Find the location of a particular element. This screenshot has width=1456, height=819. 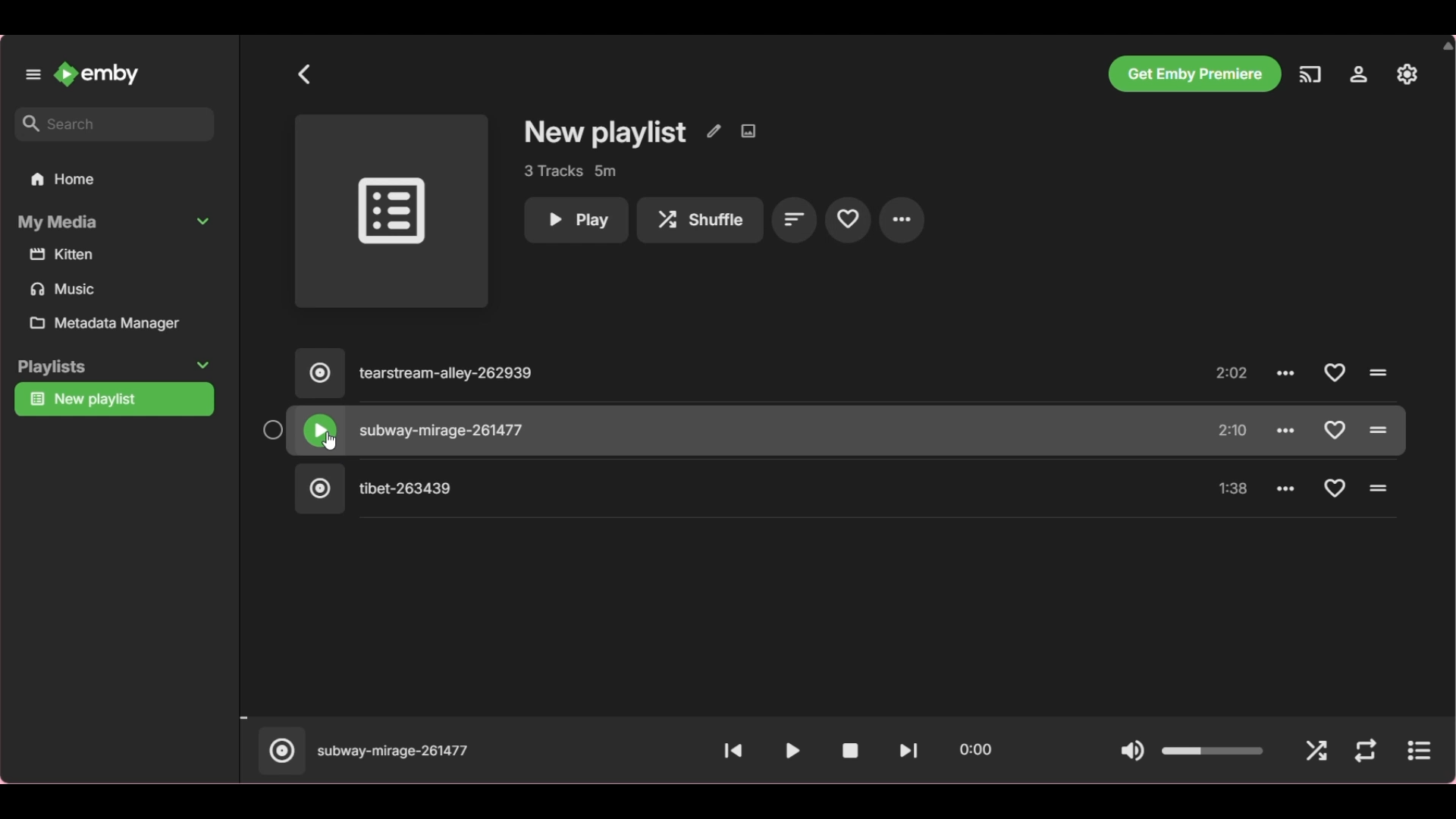

Play is located at coordinates (792, 751).